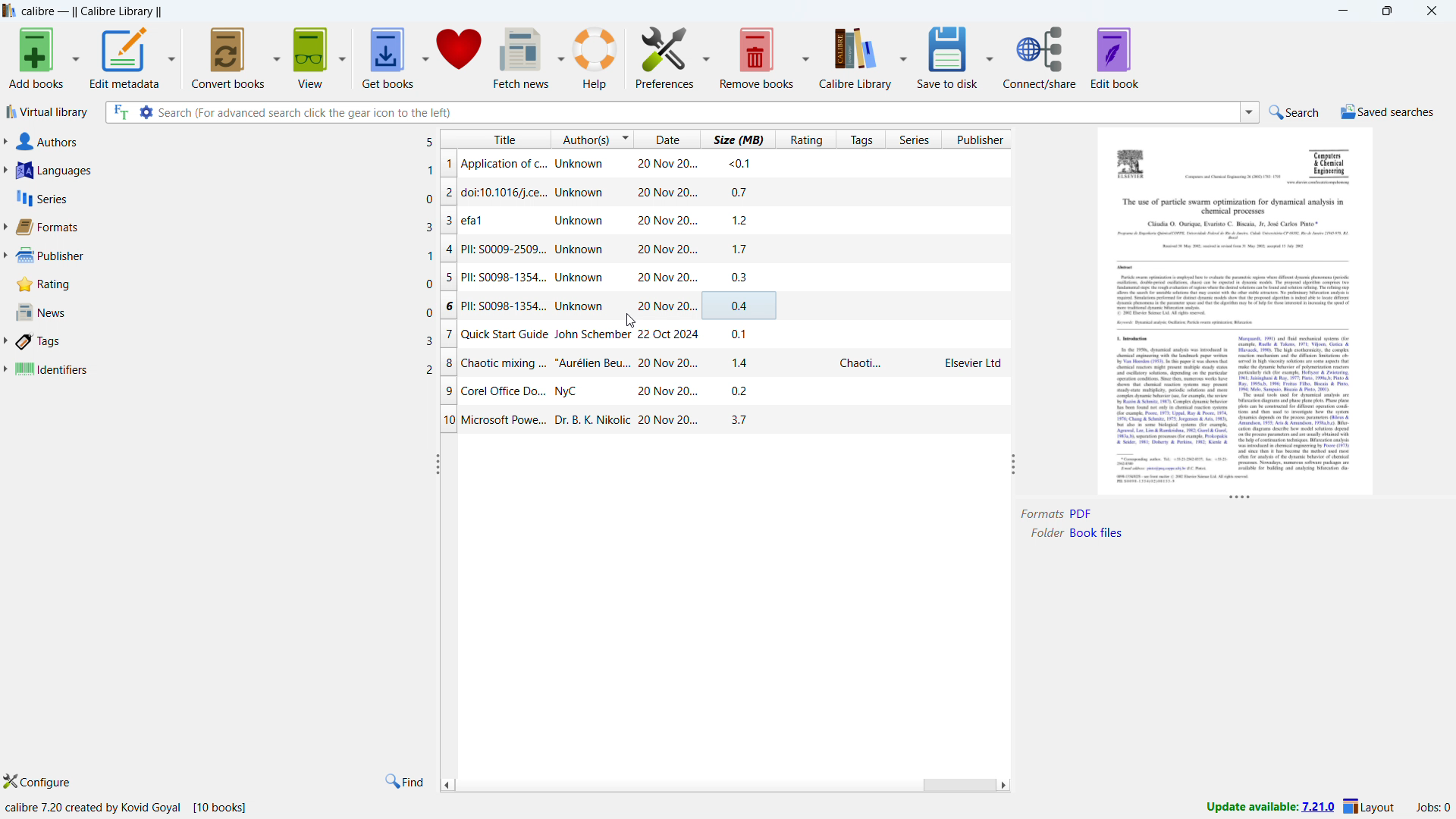 The width and height of the screenshot is (1456, 819). Describe the element at coordinates (1044, 533) in the screenshot. I see `Folder` at that location.